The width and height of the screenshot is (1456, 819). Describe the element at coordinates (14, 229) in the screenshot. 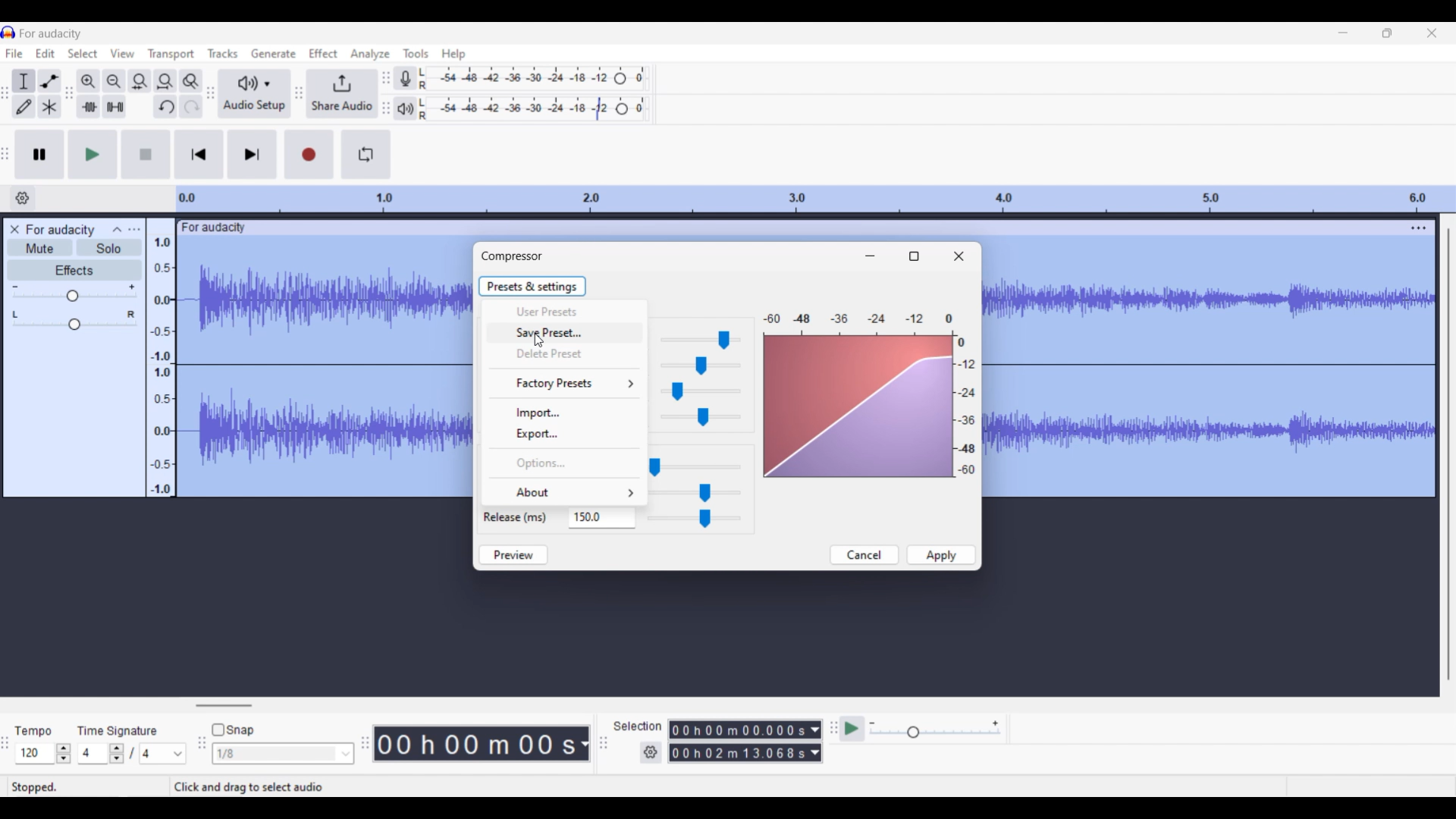

I see `Close track` at that location.